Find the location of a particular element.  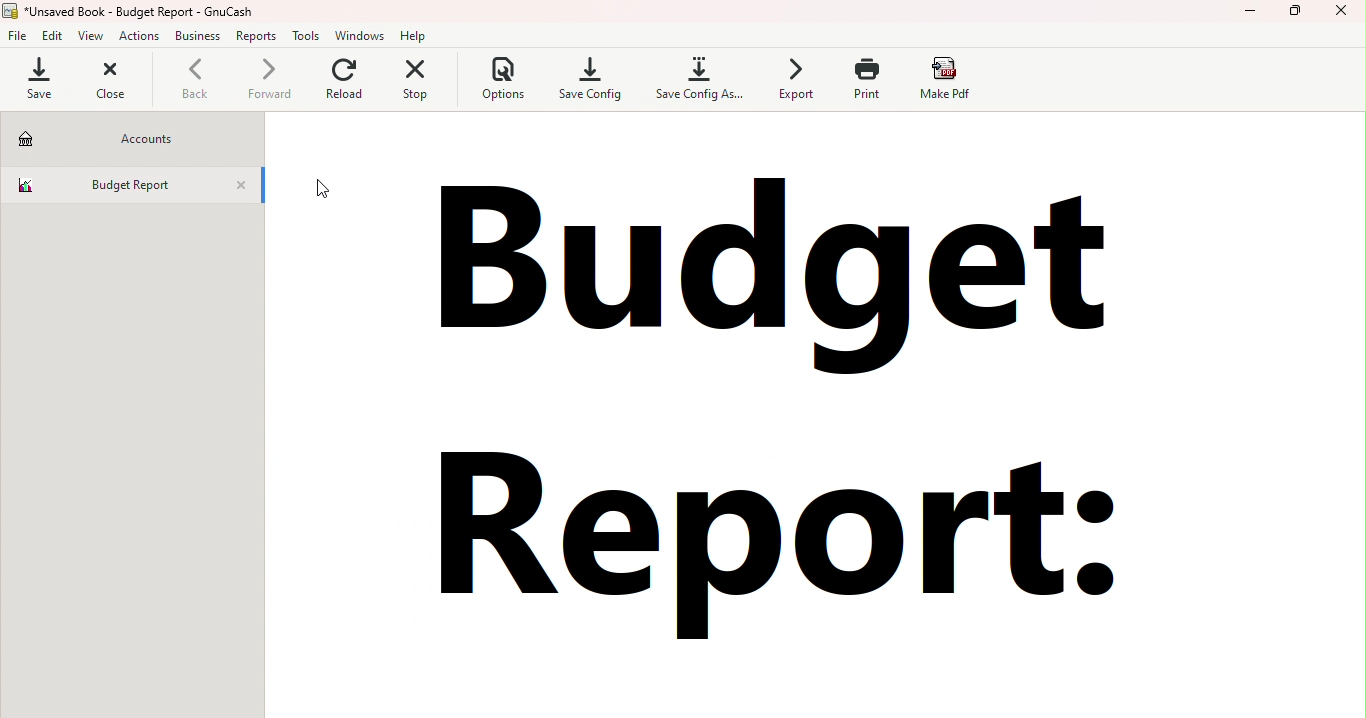

Help is located at coordinates (414, 35).